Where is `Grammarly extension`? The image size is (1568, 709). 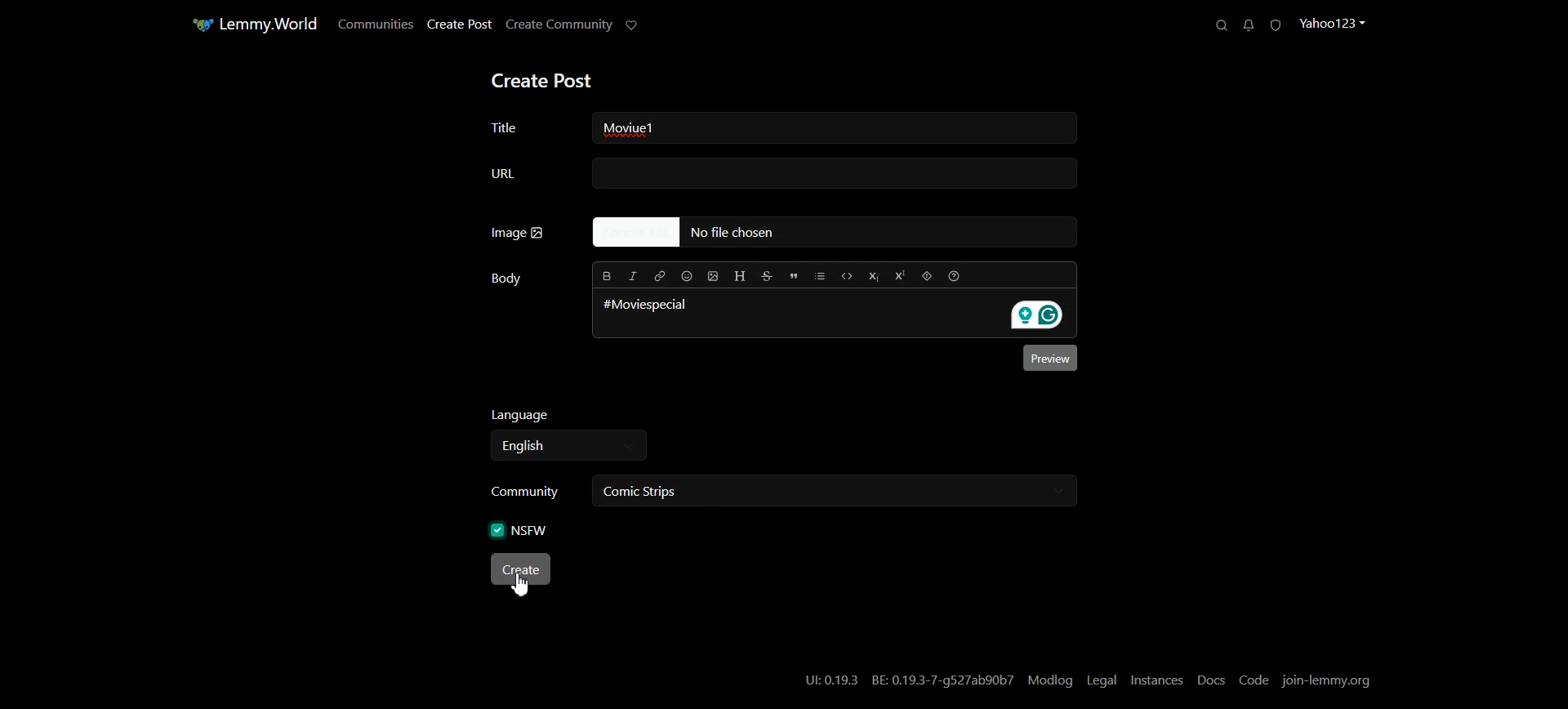 Grammarly extension is located at coordinates (1040, 316).